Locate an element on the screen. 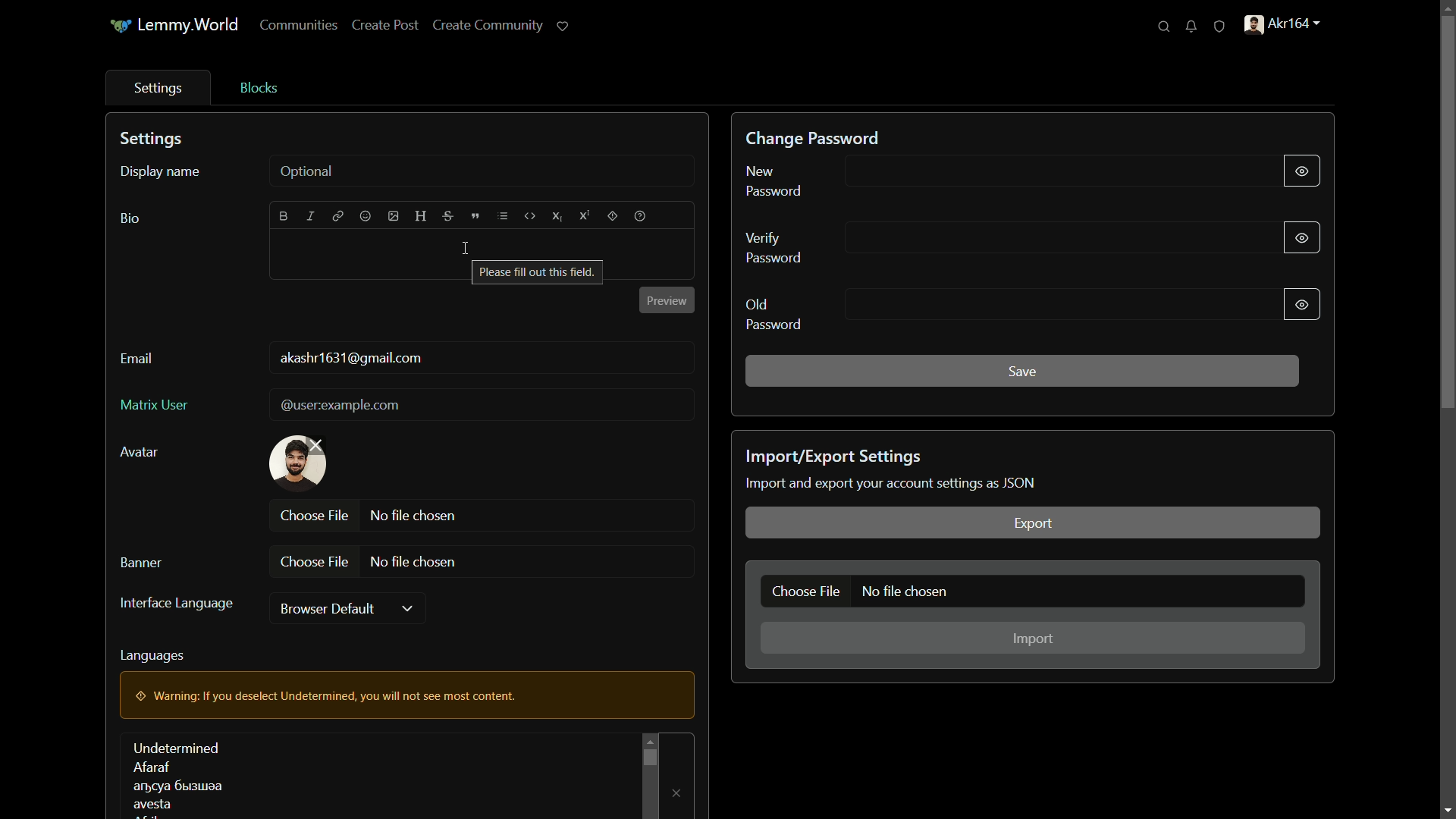 The height and width of the screenshot is (819, 1456). verify password is located at coordinates (774, 246).